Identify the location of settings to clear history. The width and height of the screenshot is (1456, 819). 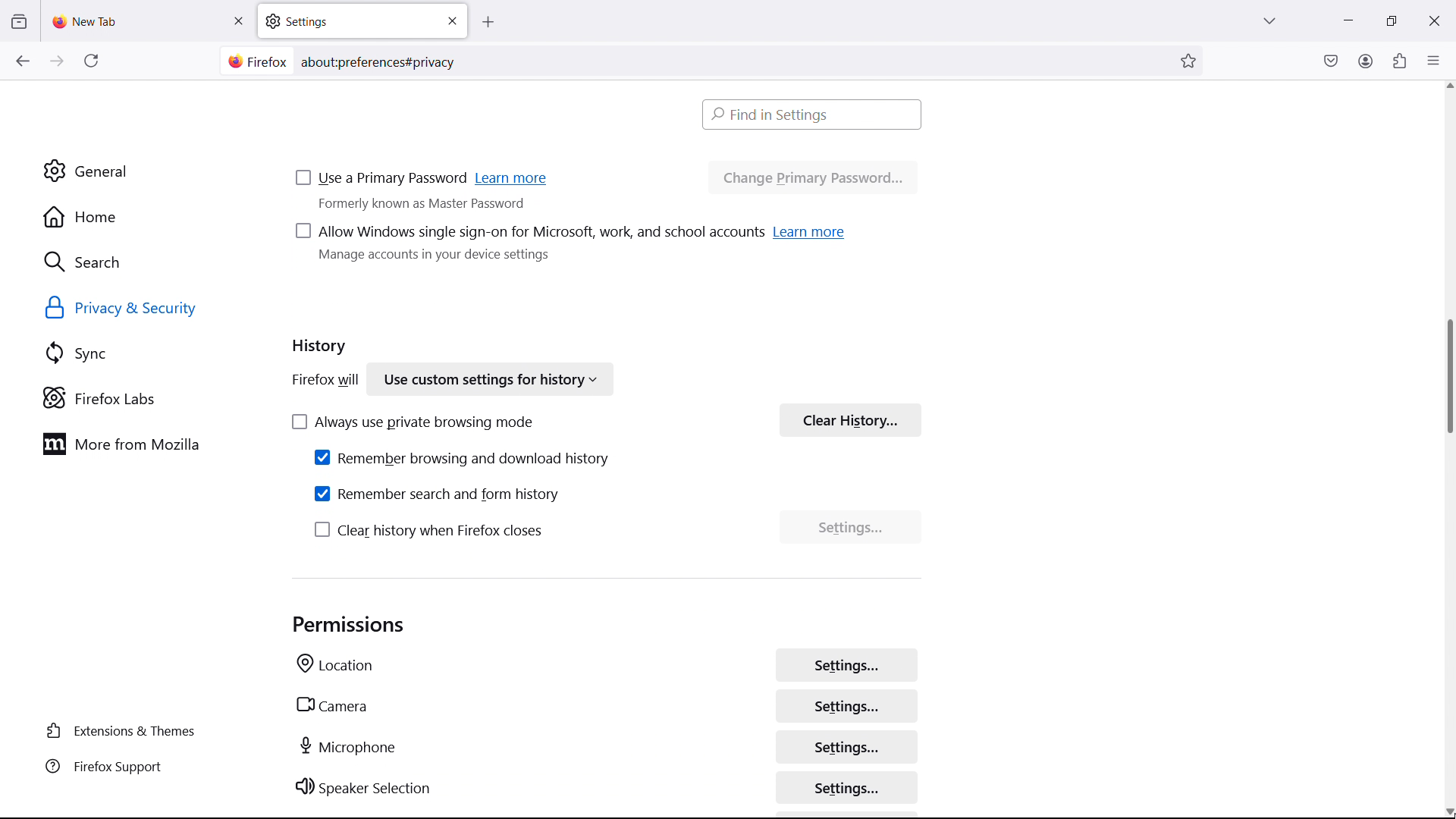
(851, 527).